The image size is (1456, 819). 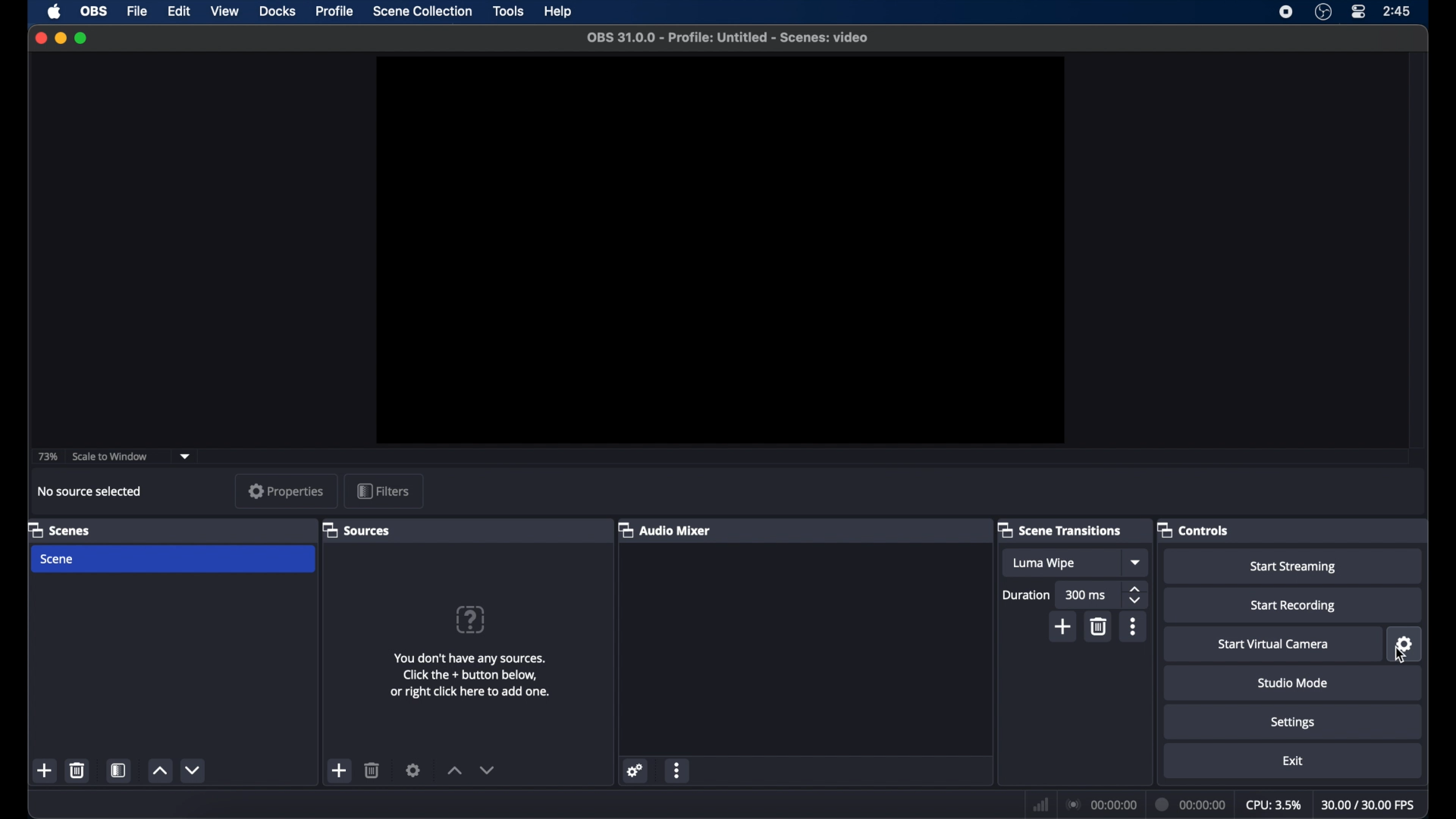 I want to click on start recording, so click(x=1295, y=605).